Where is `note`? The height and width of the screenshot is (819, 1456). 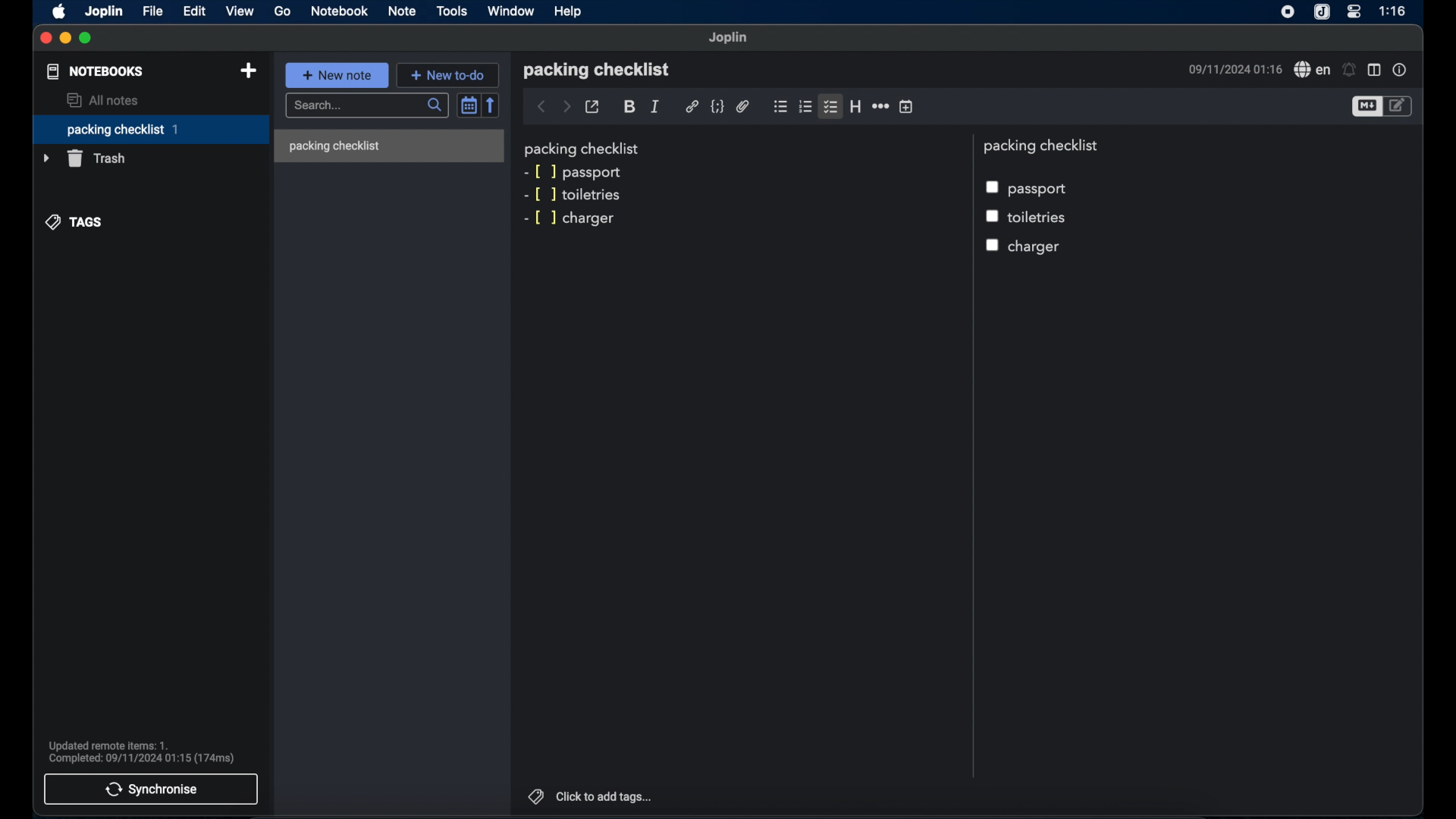 note is located at coordinates (403, 11).